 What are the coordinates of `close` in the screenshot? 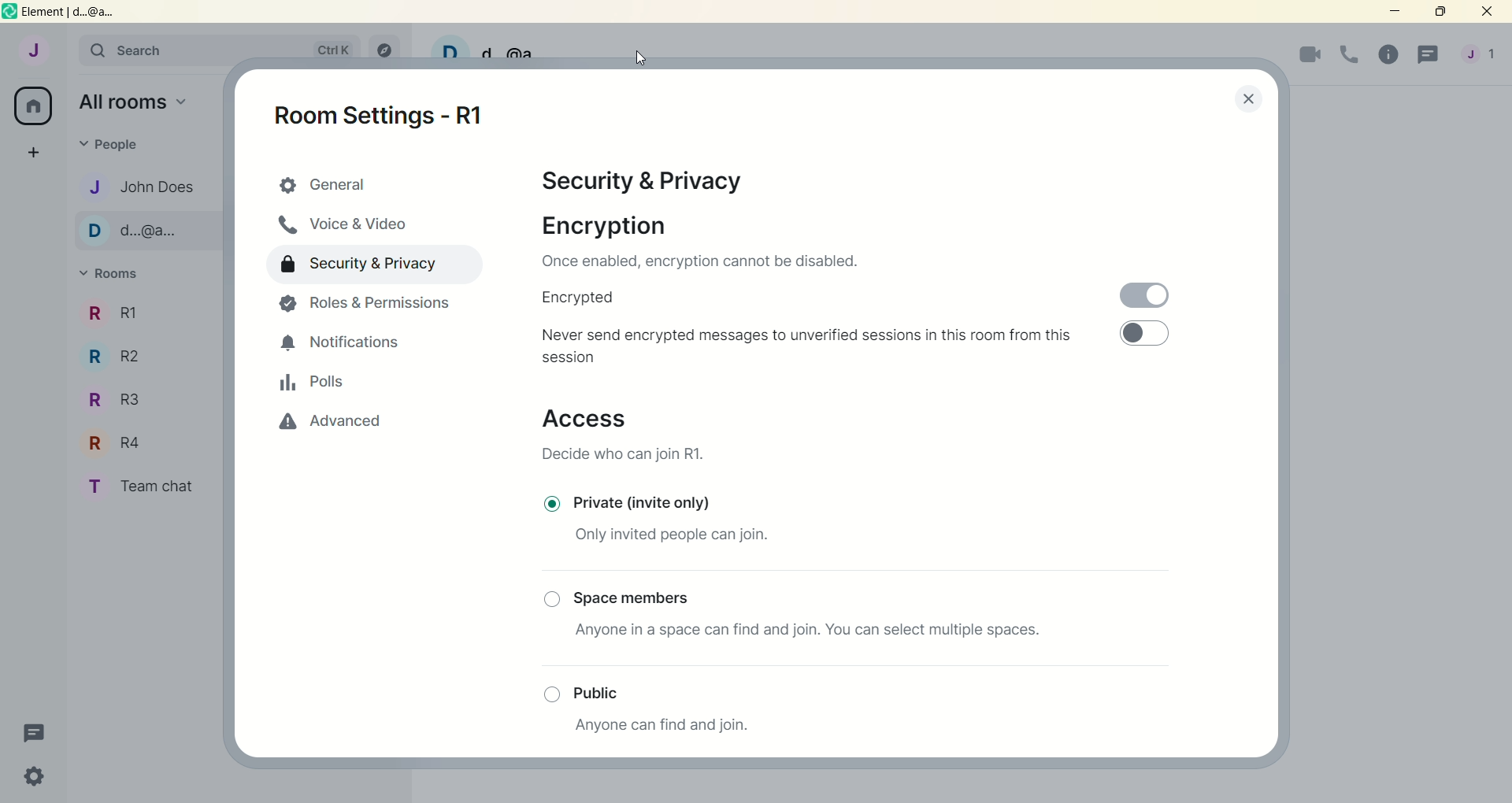 It's located at (1232, 101).